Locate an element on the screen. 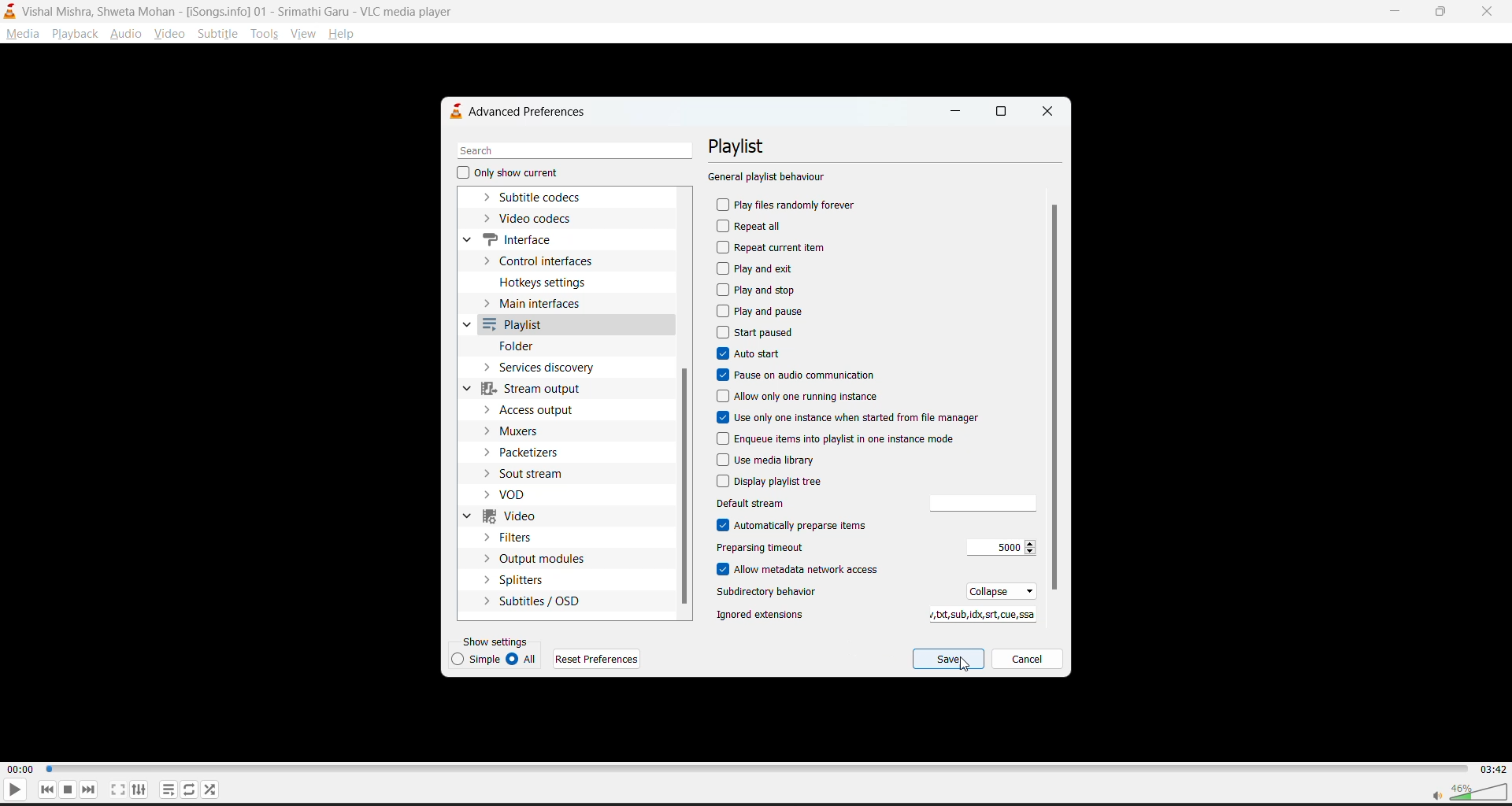  services dictionary is located at coordinates (553, 369).